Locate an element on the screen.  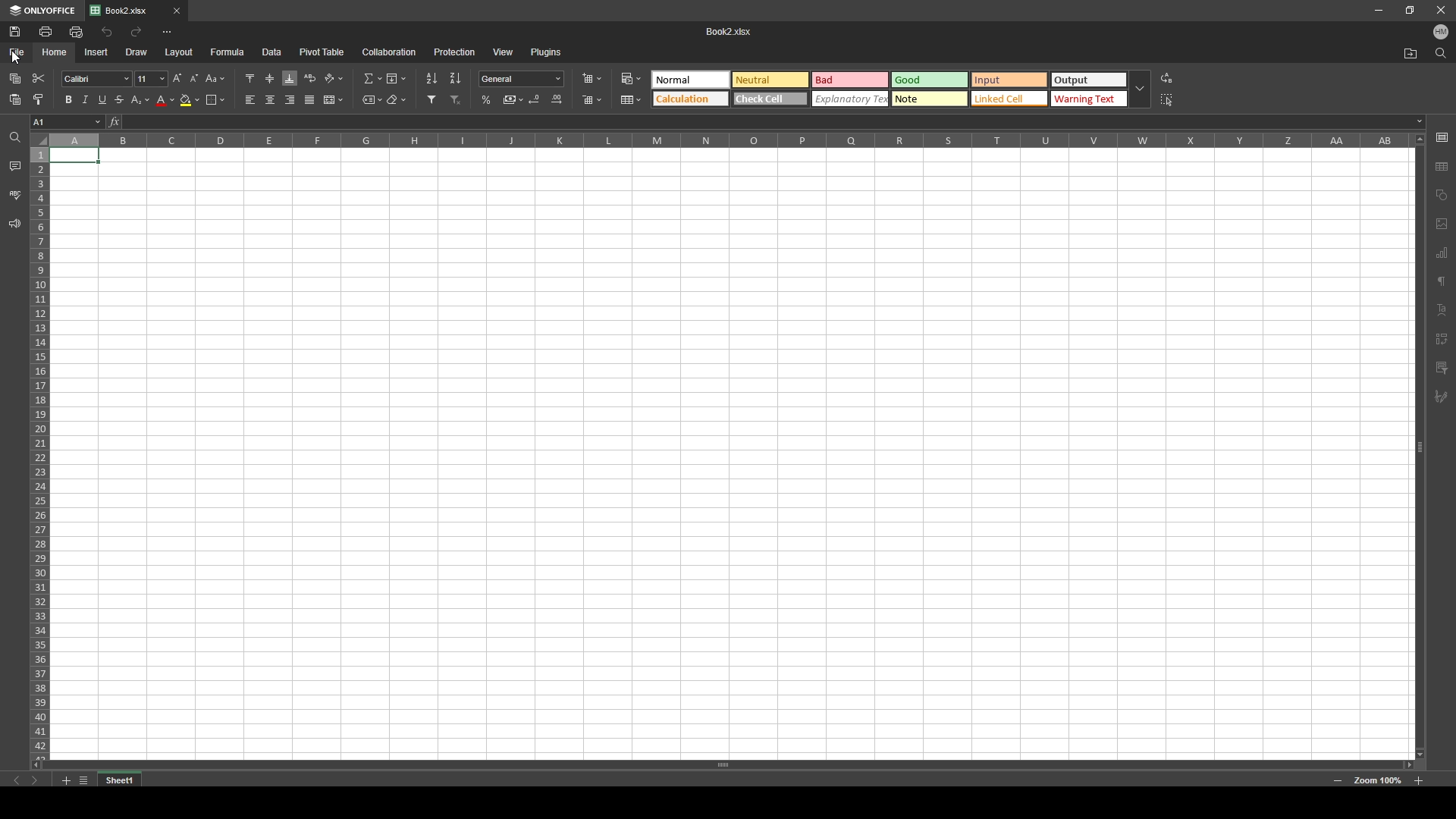
italic is located at coordinates (83, 100).